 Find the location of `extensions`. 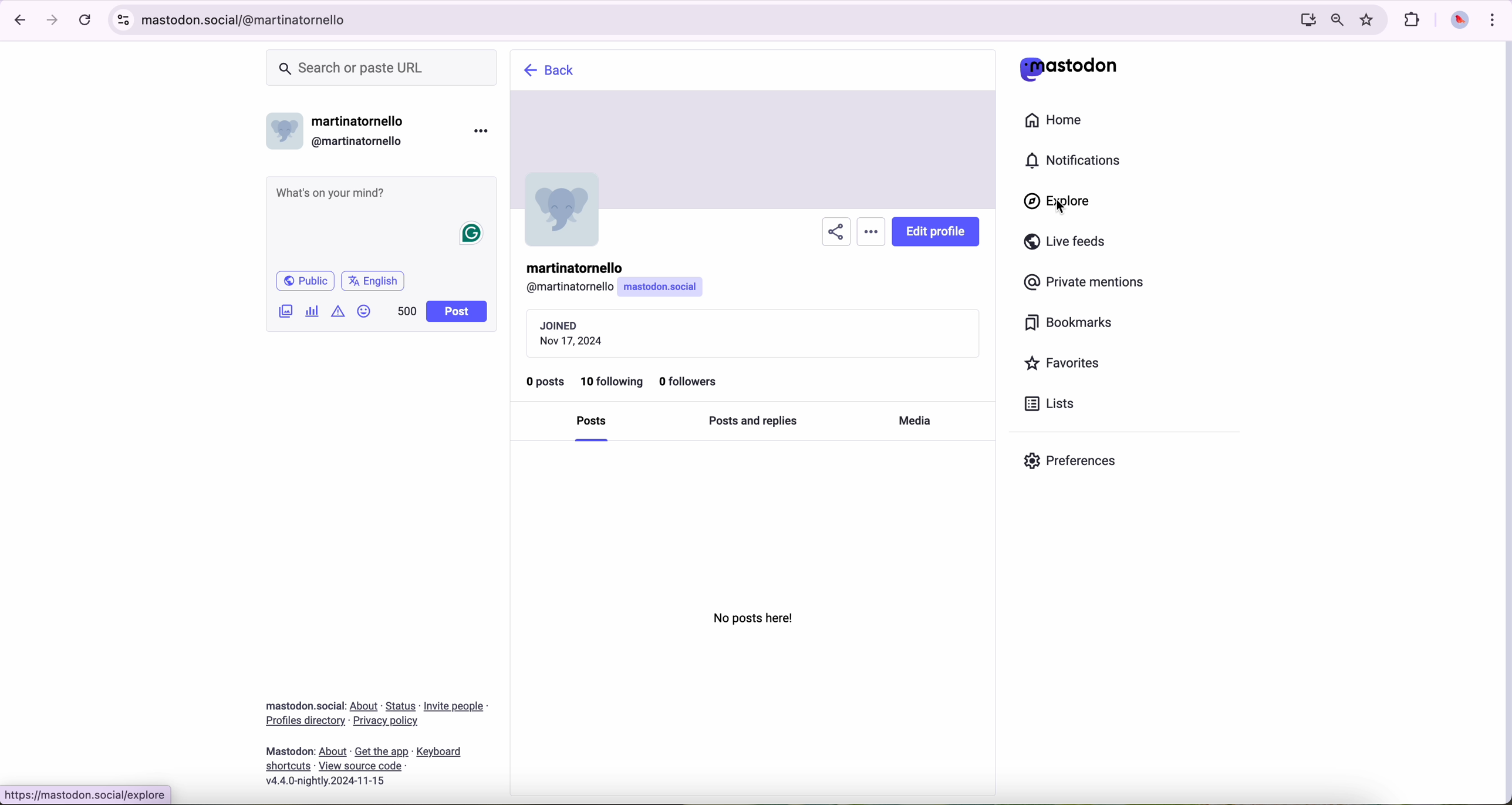

extensions is located at coordinates (1413, 21).